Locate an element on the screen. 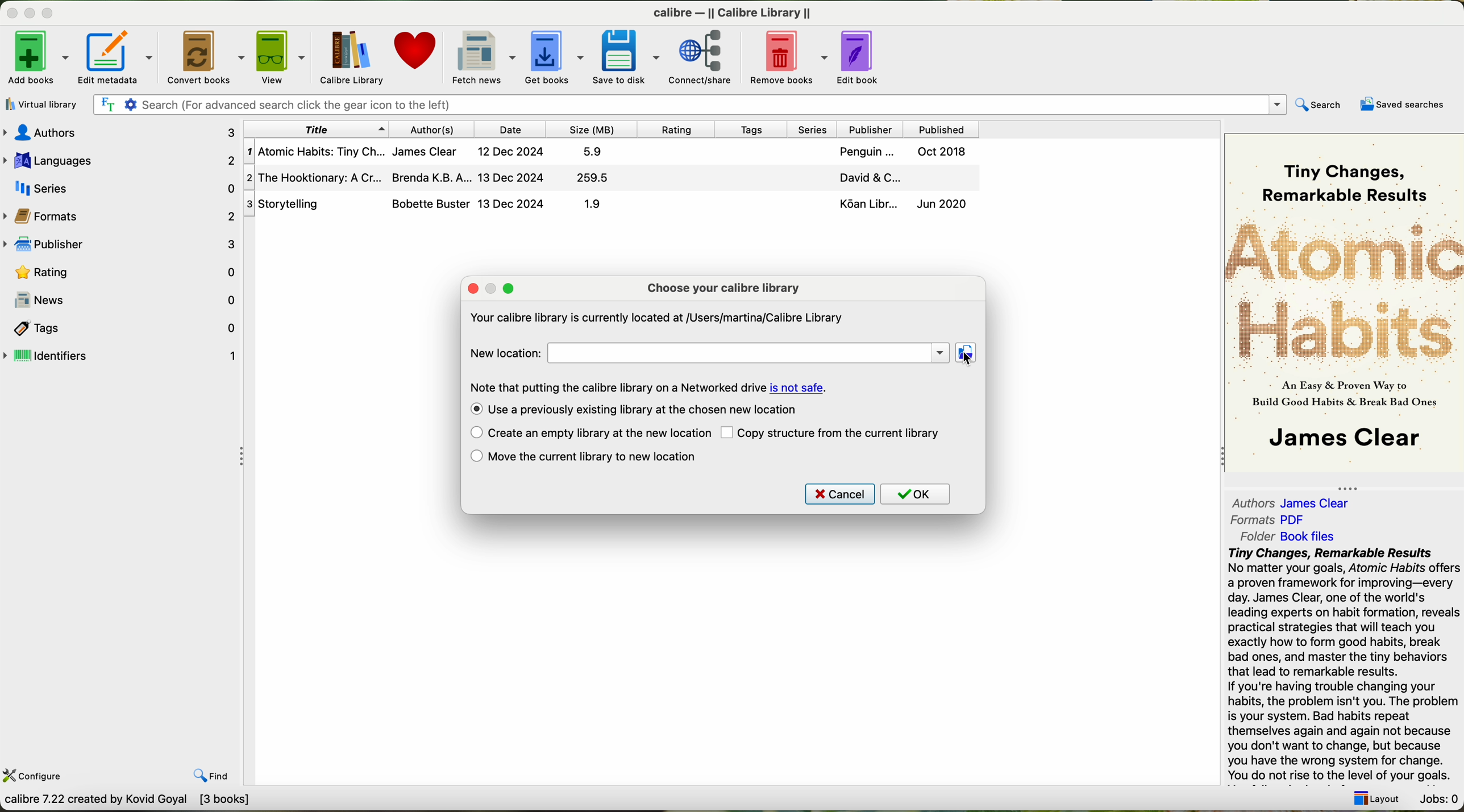 Image resolution: width=1464 pixels, height=812 pixels. Ko6an Libr... Jun 2020 is located at coordinates (900, 206).